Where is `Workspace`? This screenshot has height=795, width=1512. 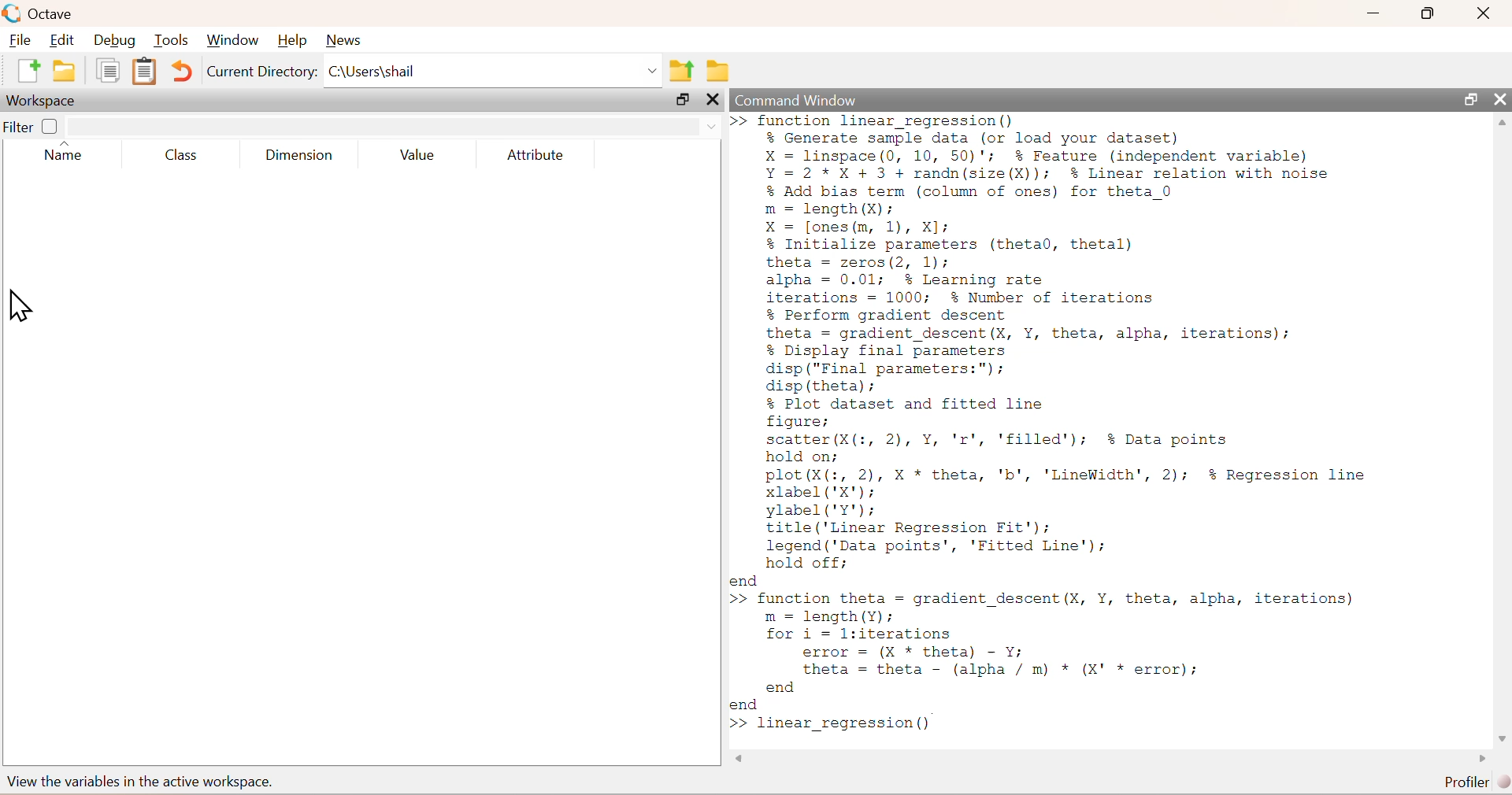 Workspace is located at coordinates (41, 101).